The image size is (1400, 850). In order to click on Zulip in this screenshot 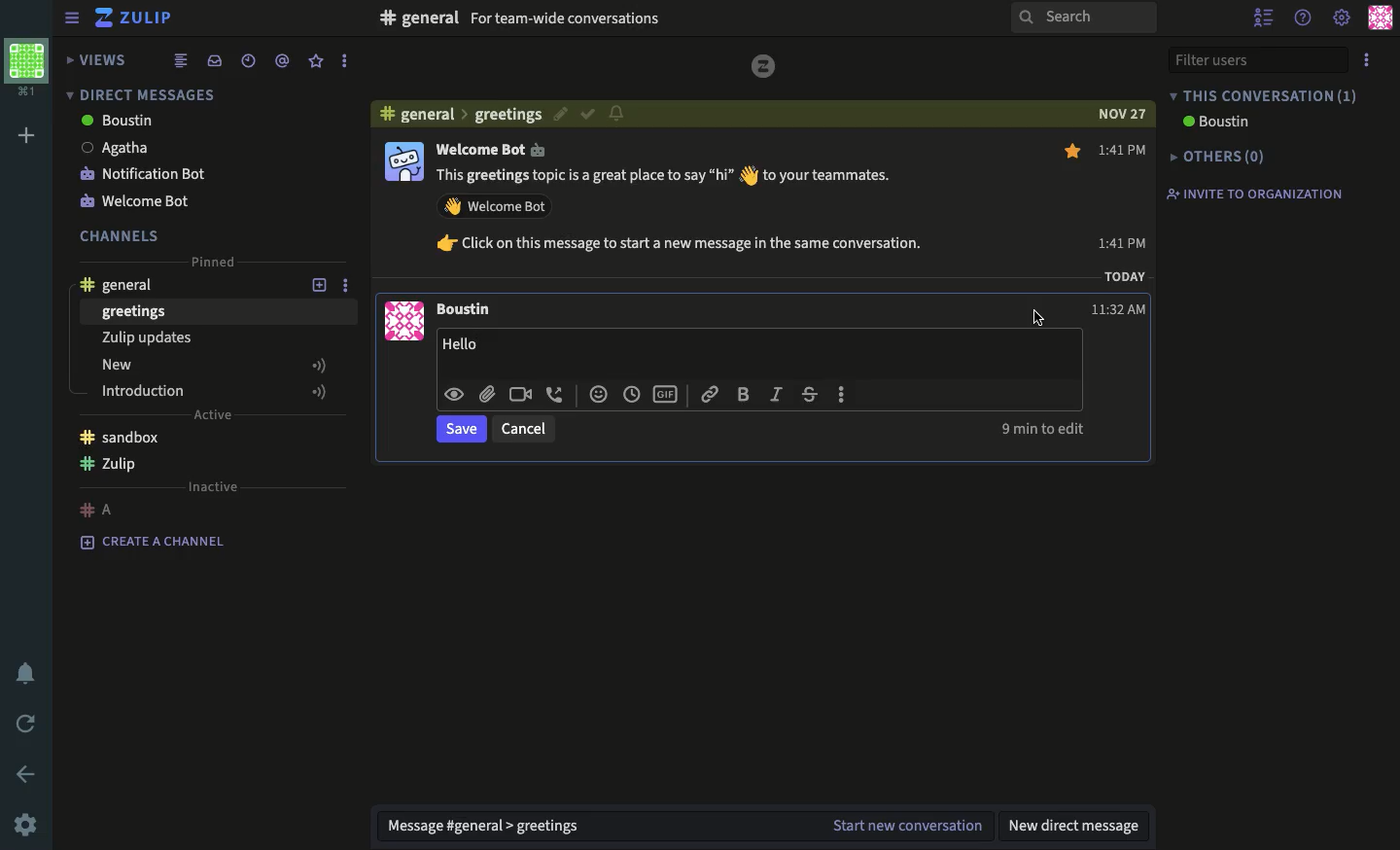, I will do `click(764, 66)`.